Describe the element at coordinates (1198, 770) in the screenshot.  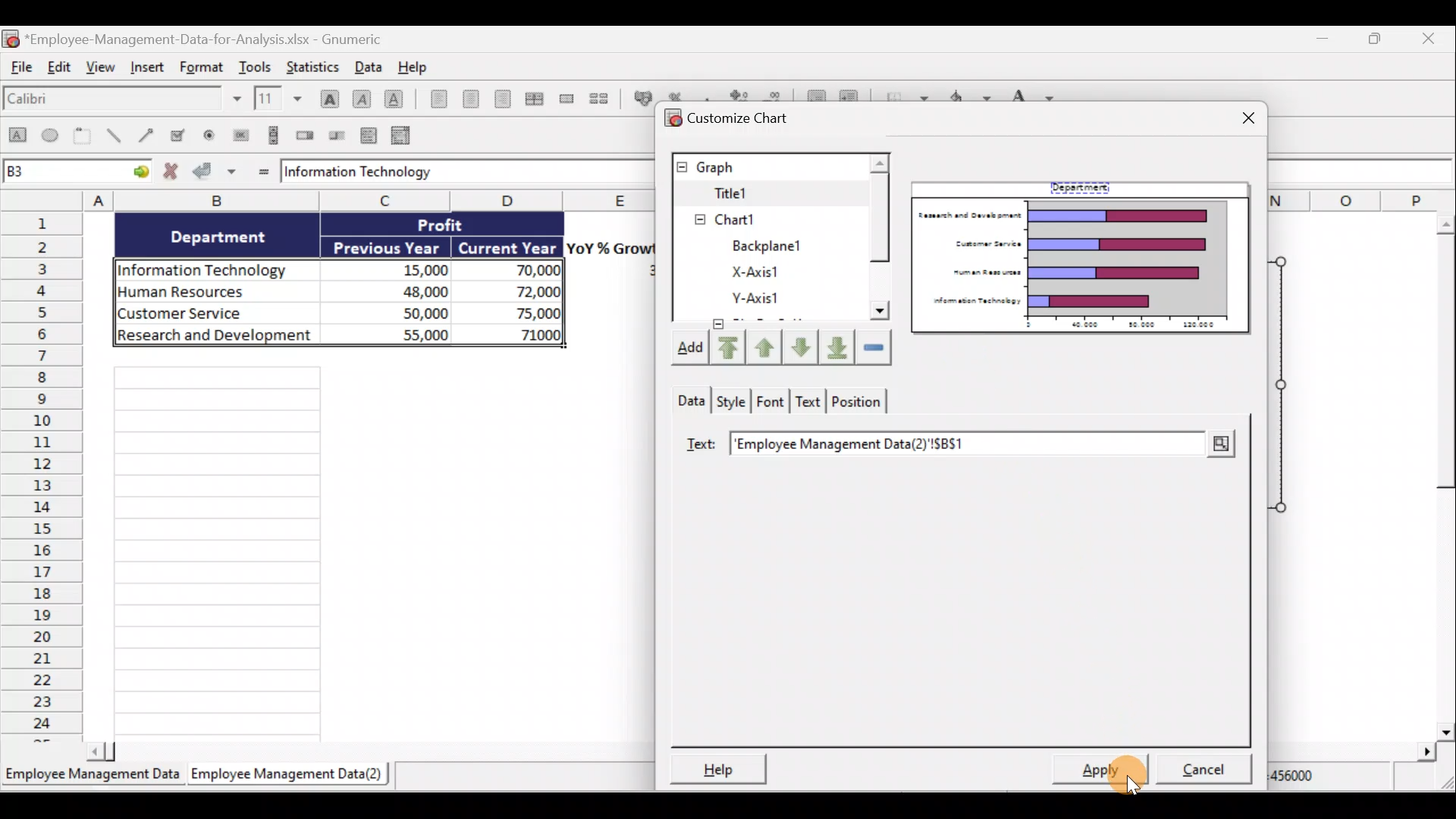
I see `Cancel` at that location.